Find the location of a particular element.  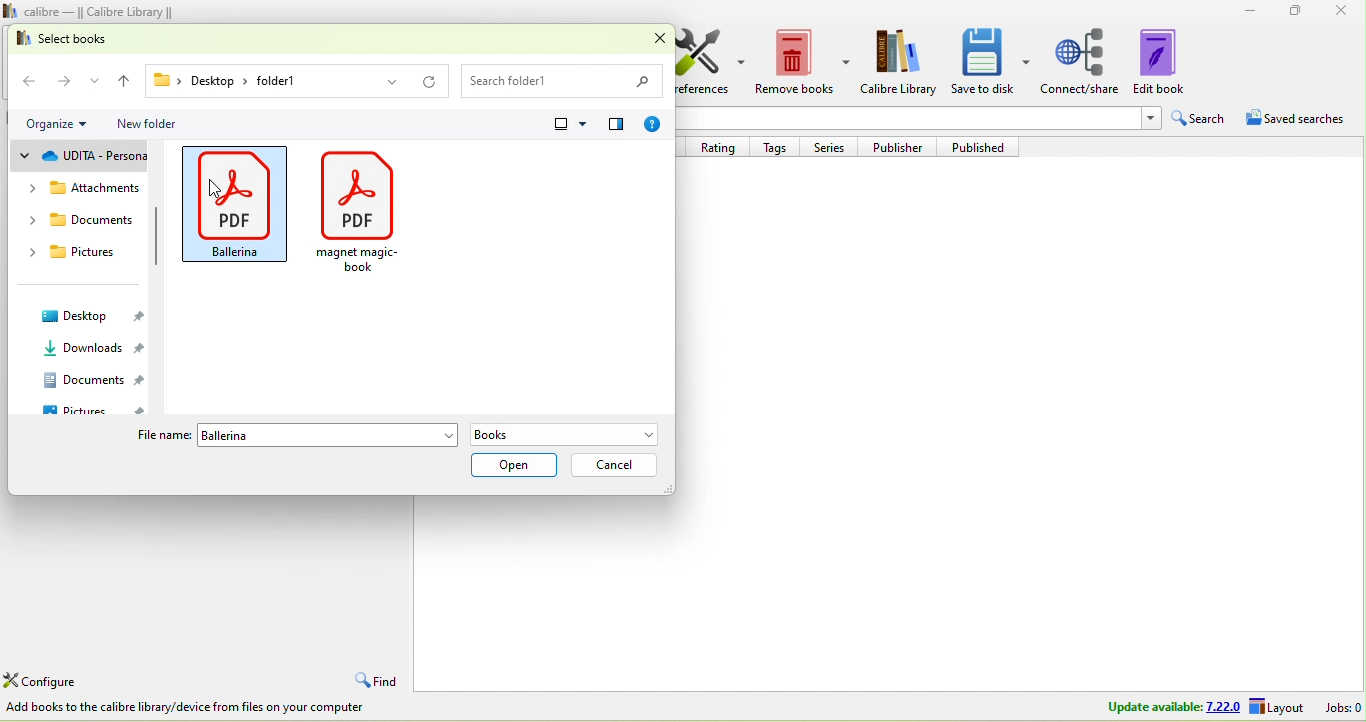

select books is located at coordinates (87, 39).